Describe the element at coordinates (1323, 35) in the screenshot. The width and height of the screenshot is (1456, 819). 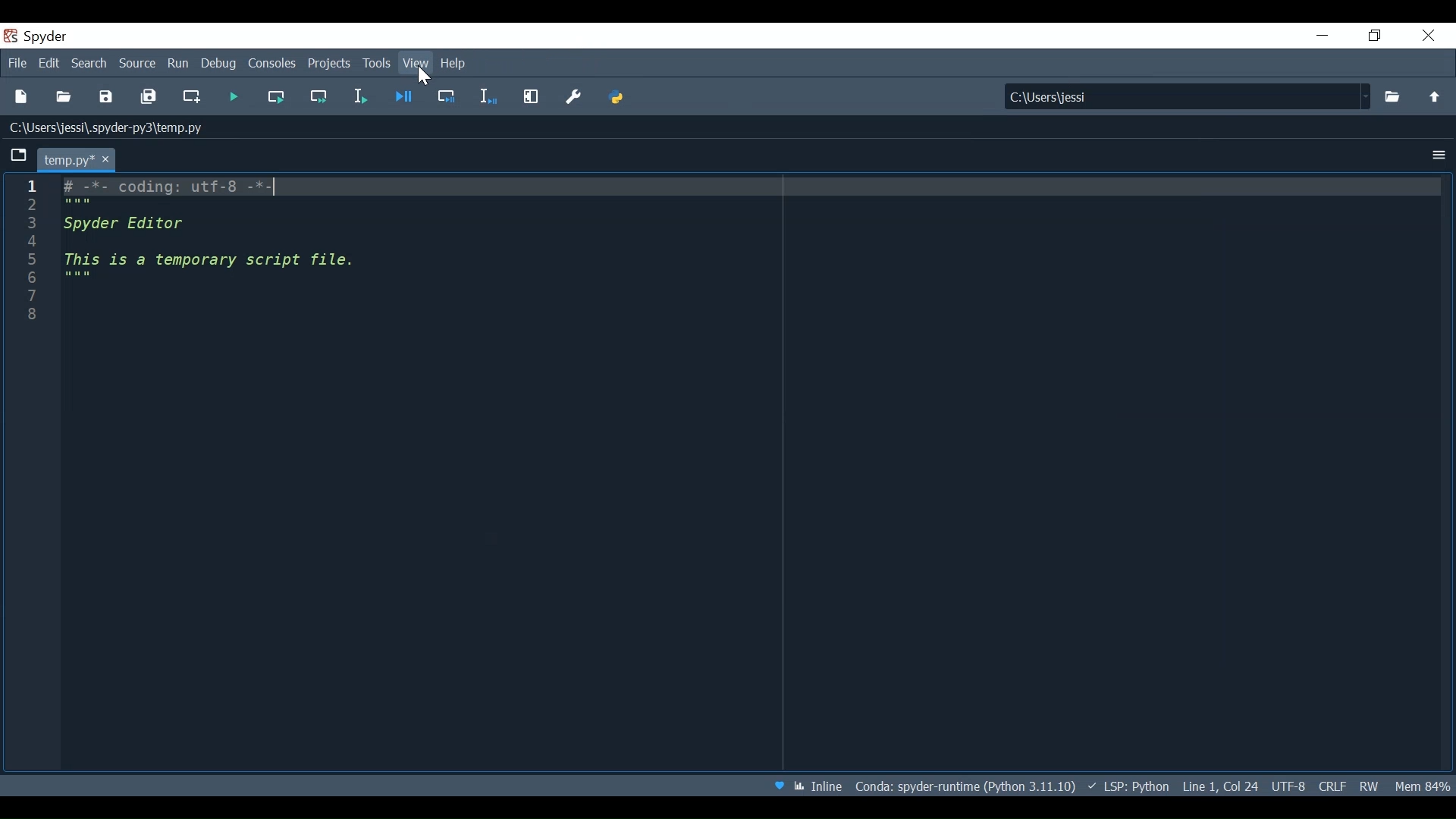
I see `minimize` at that location.